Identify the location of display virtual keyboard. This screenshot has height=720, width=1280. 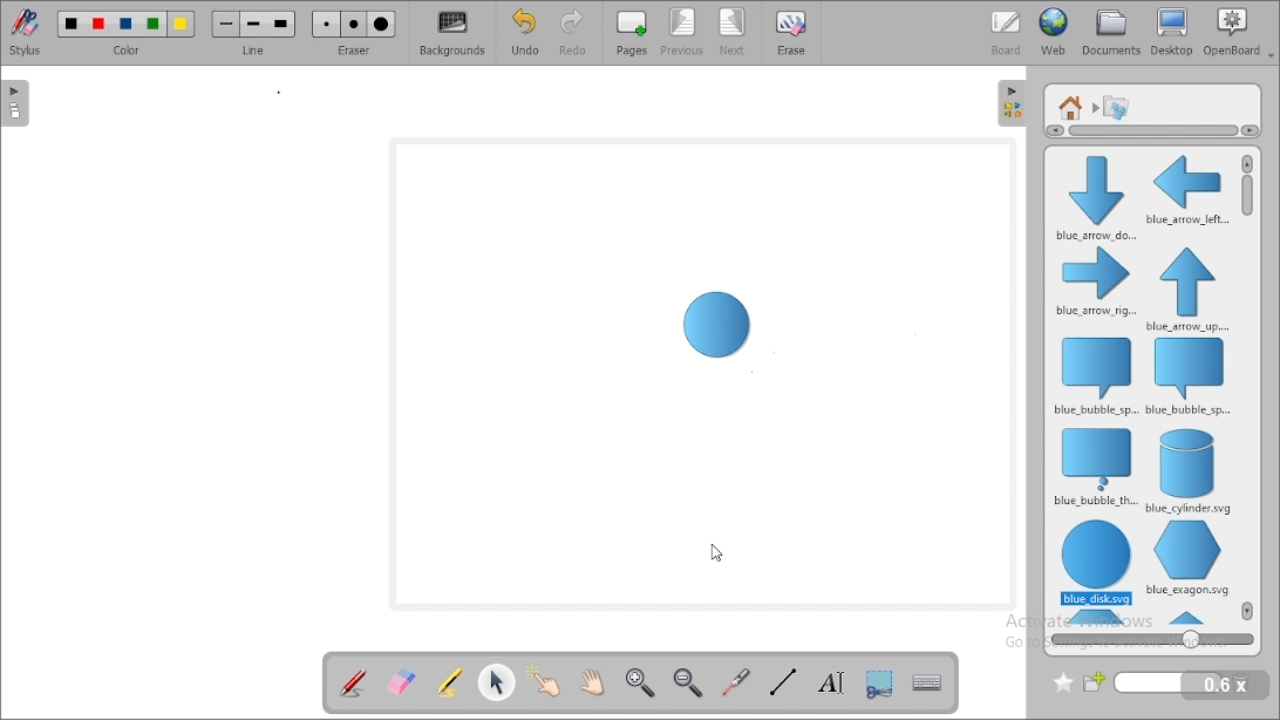
(928, 681).